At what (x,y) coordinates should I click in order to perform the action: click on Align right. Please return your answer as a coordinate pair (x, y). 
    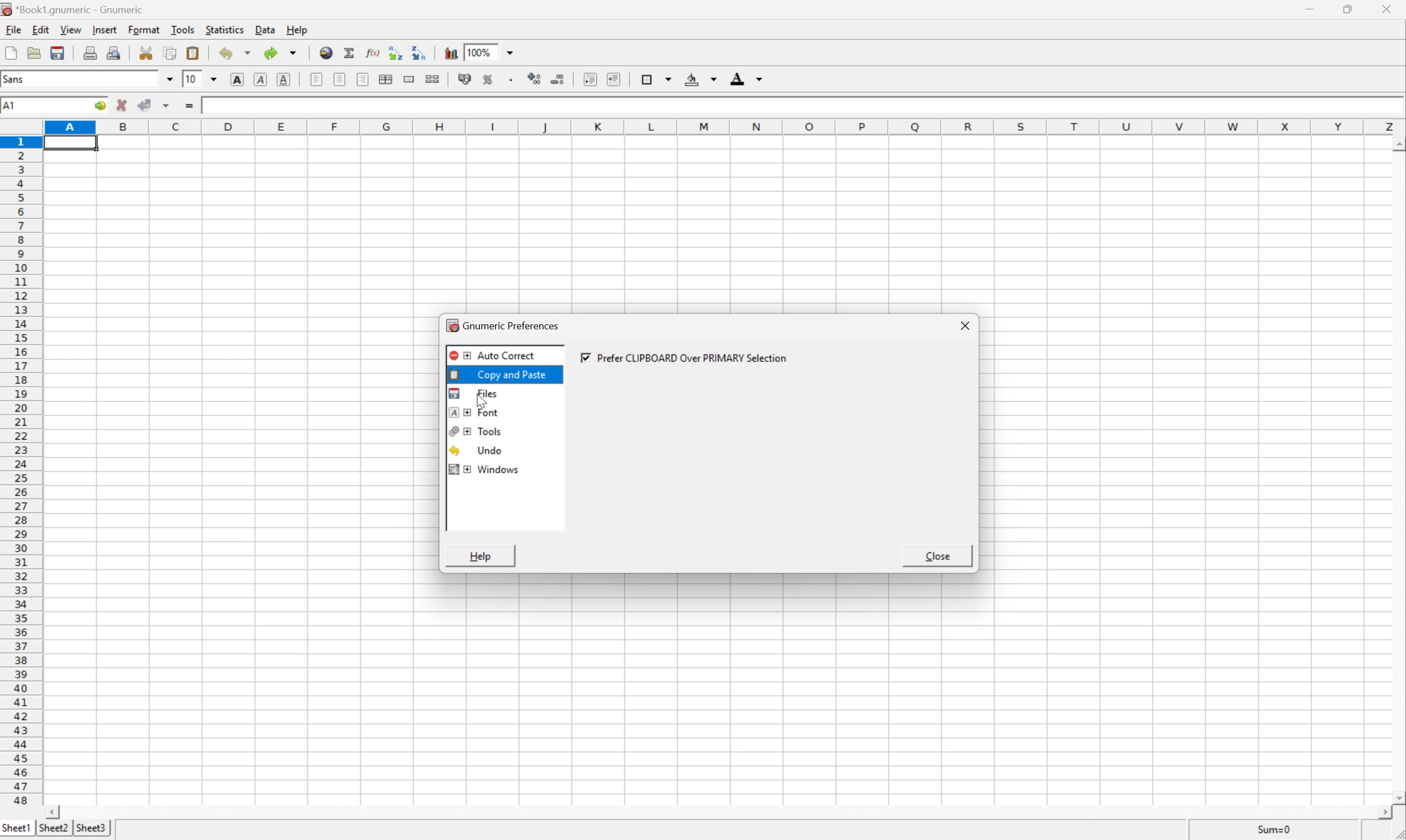
    Looking at the image, I should click on (363, 79).